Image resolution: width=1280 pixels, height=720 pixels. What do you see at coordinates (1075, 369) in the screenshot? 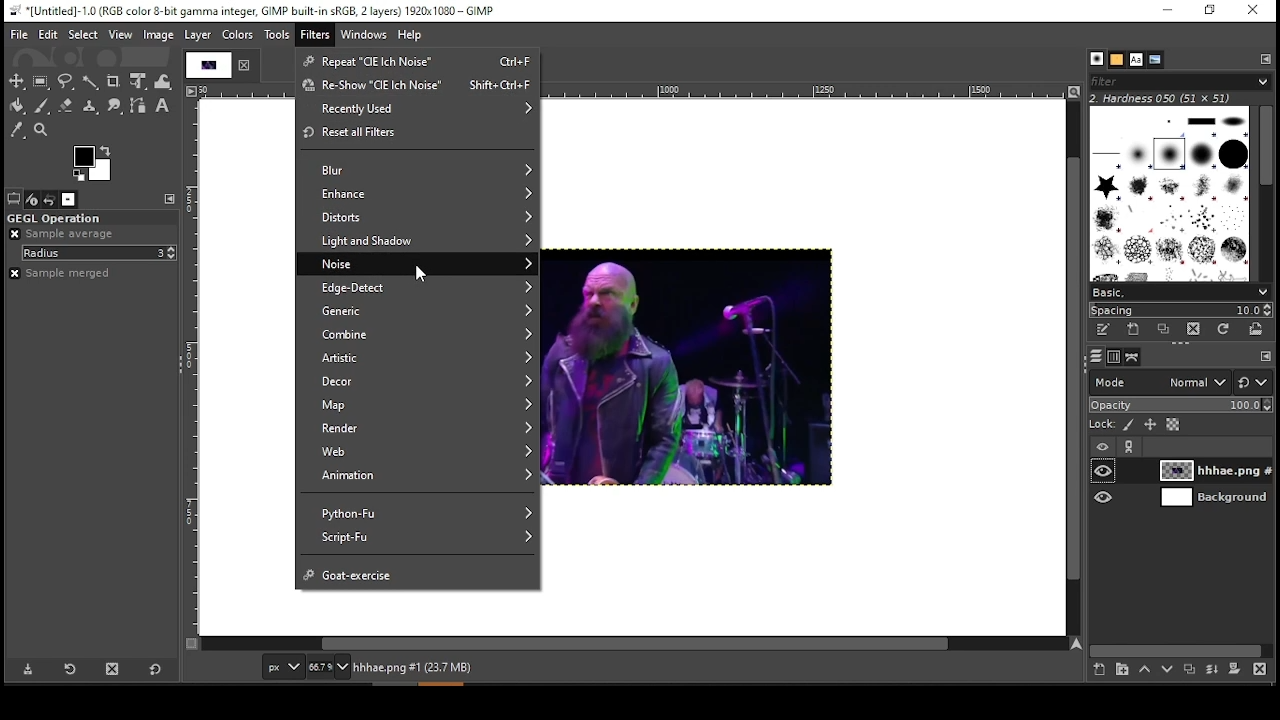
I see `vertical scroll bar` at bounding box center [1075, 369].